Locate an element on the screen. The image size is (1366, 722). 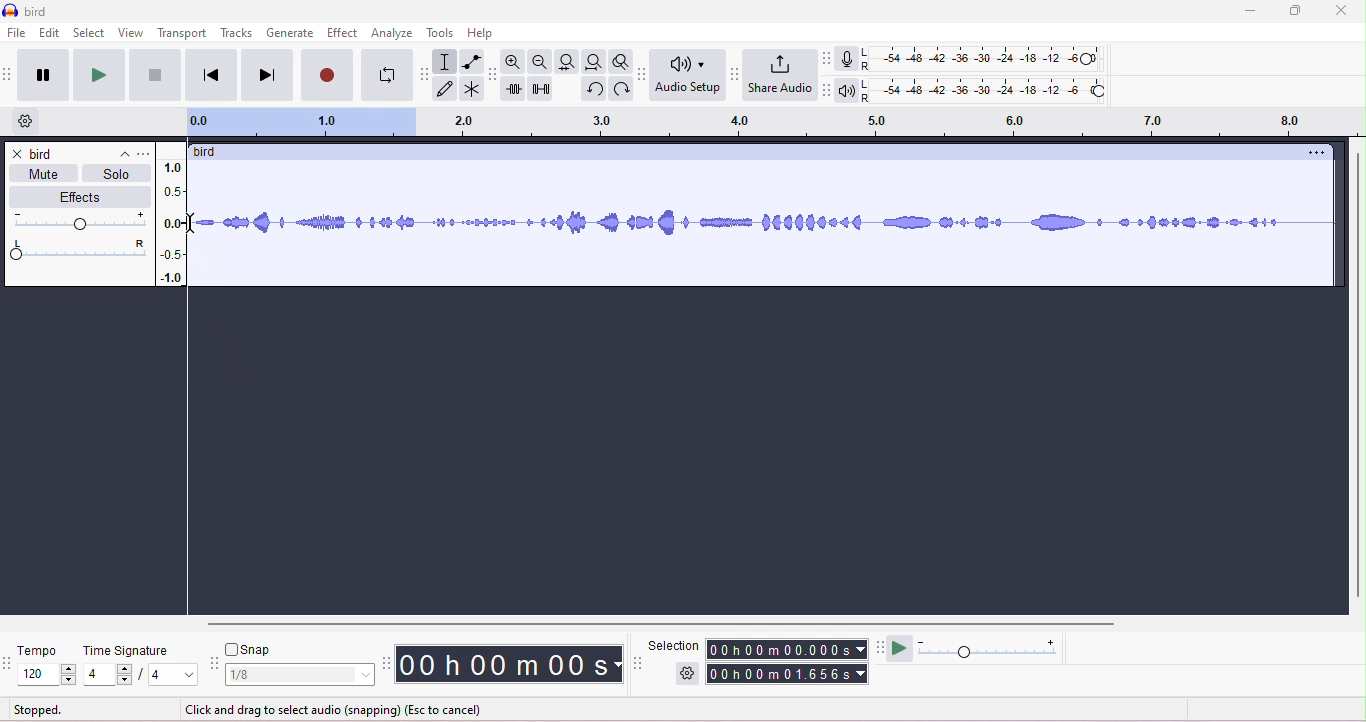
file is located at coordinates (16, 32).